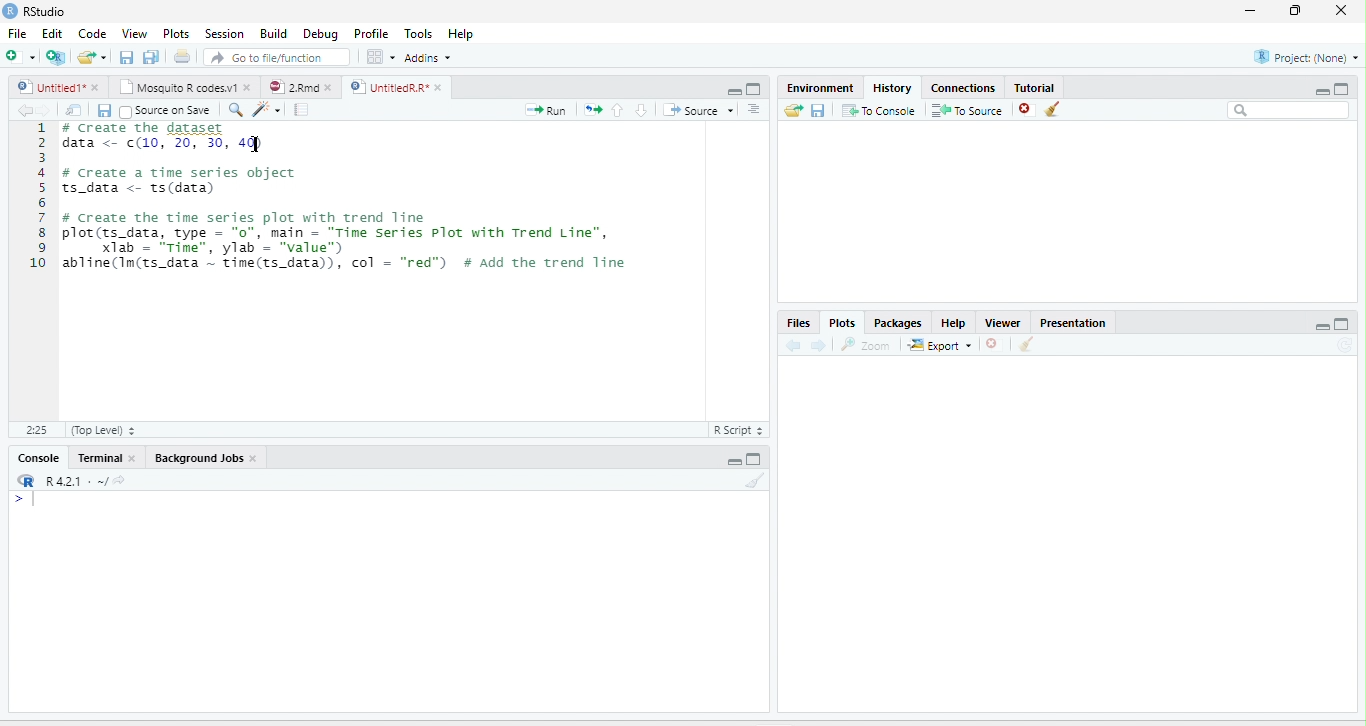  Describe the element at coordinates (1026, 109) in the screenshot. I see `Remove the selected history entries` at that location.